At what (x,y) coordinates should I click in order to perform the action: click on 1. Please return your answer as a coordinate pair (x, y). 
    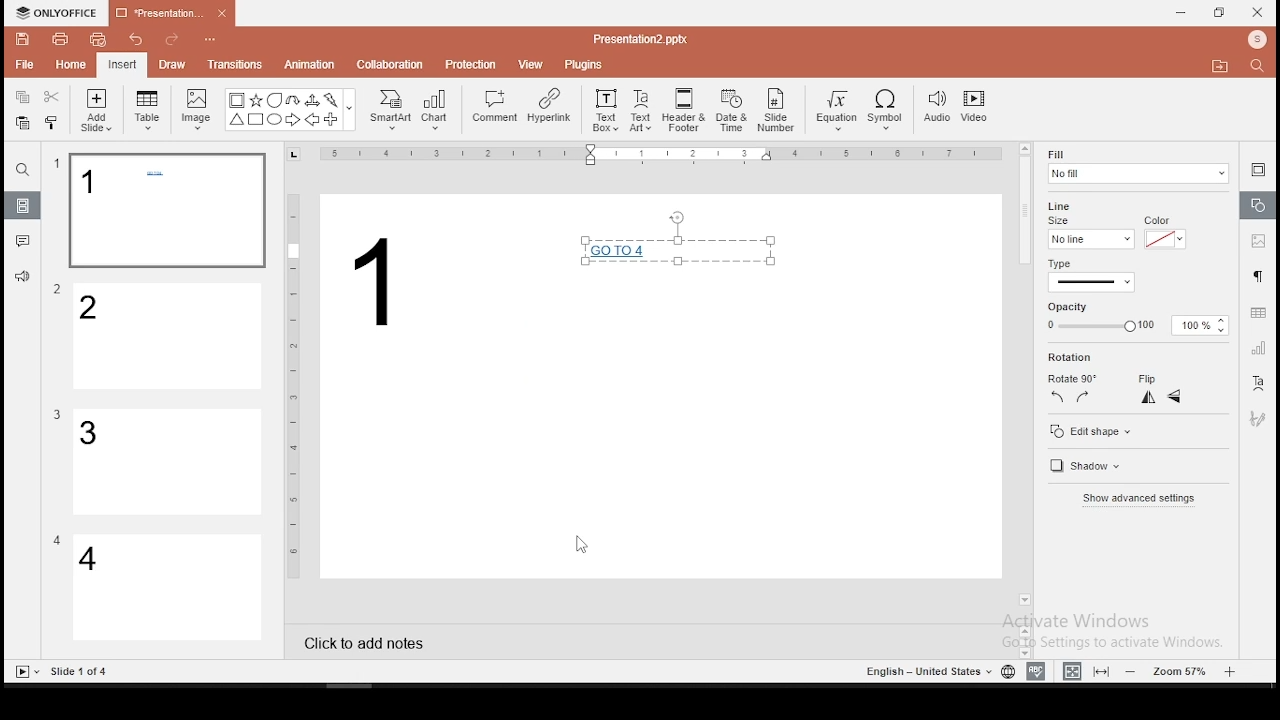
    Looking at the image, I should click on (382, 282).